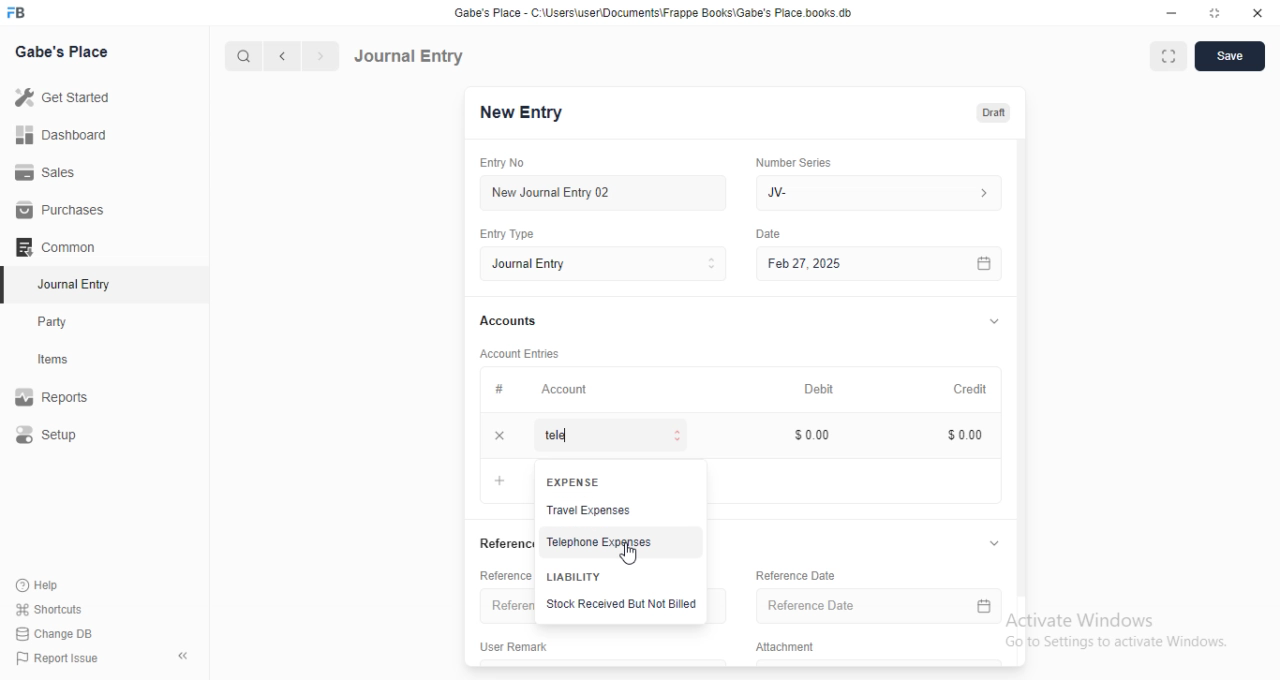  I want to click on Journal Entry, so click(70, 284).